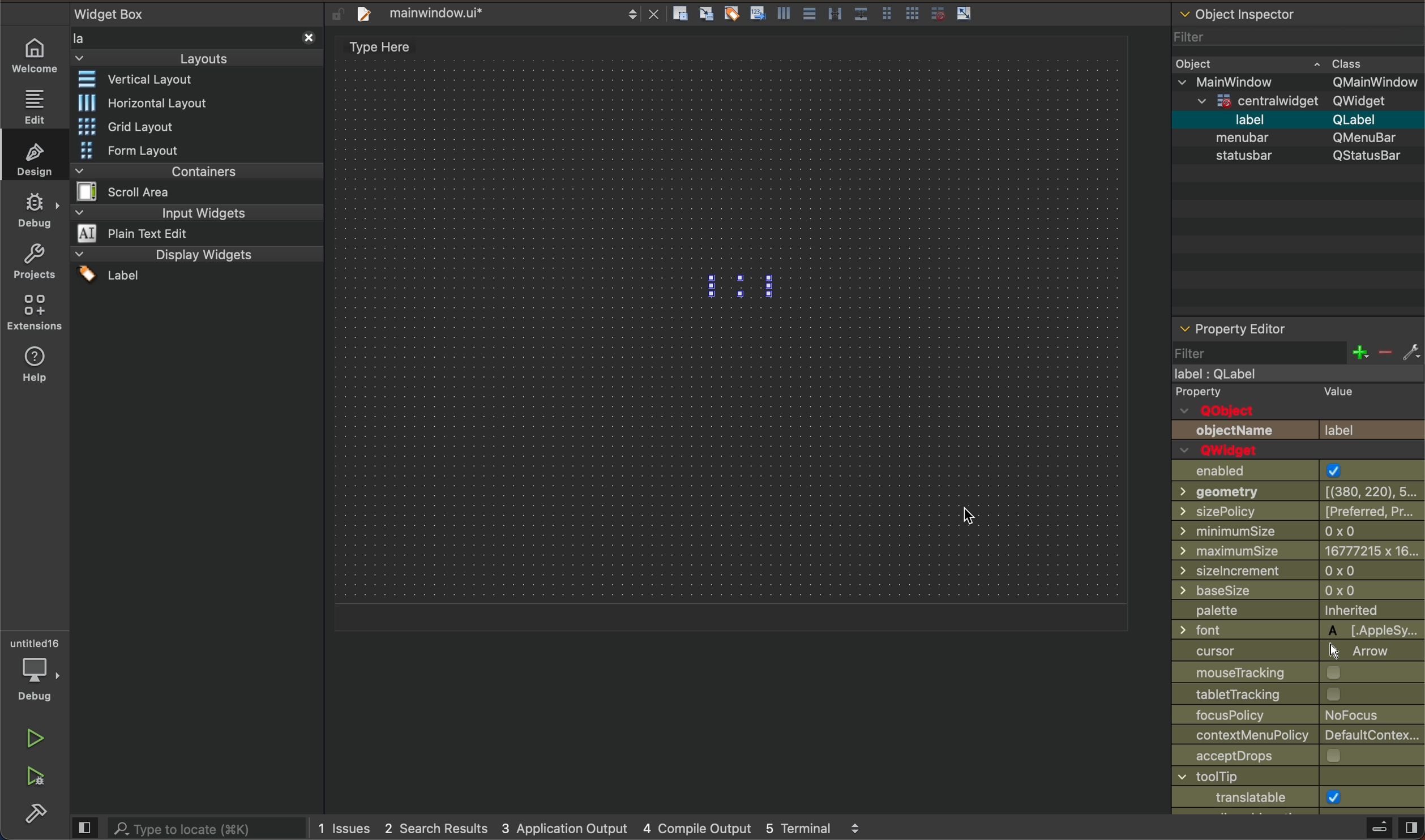  Describe the element at coordinates (701, 826) in the screenshot. I see `compile output` at that location.